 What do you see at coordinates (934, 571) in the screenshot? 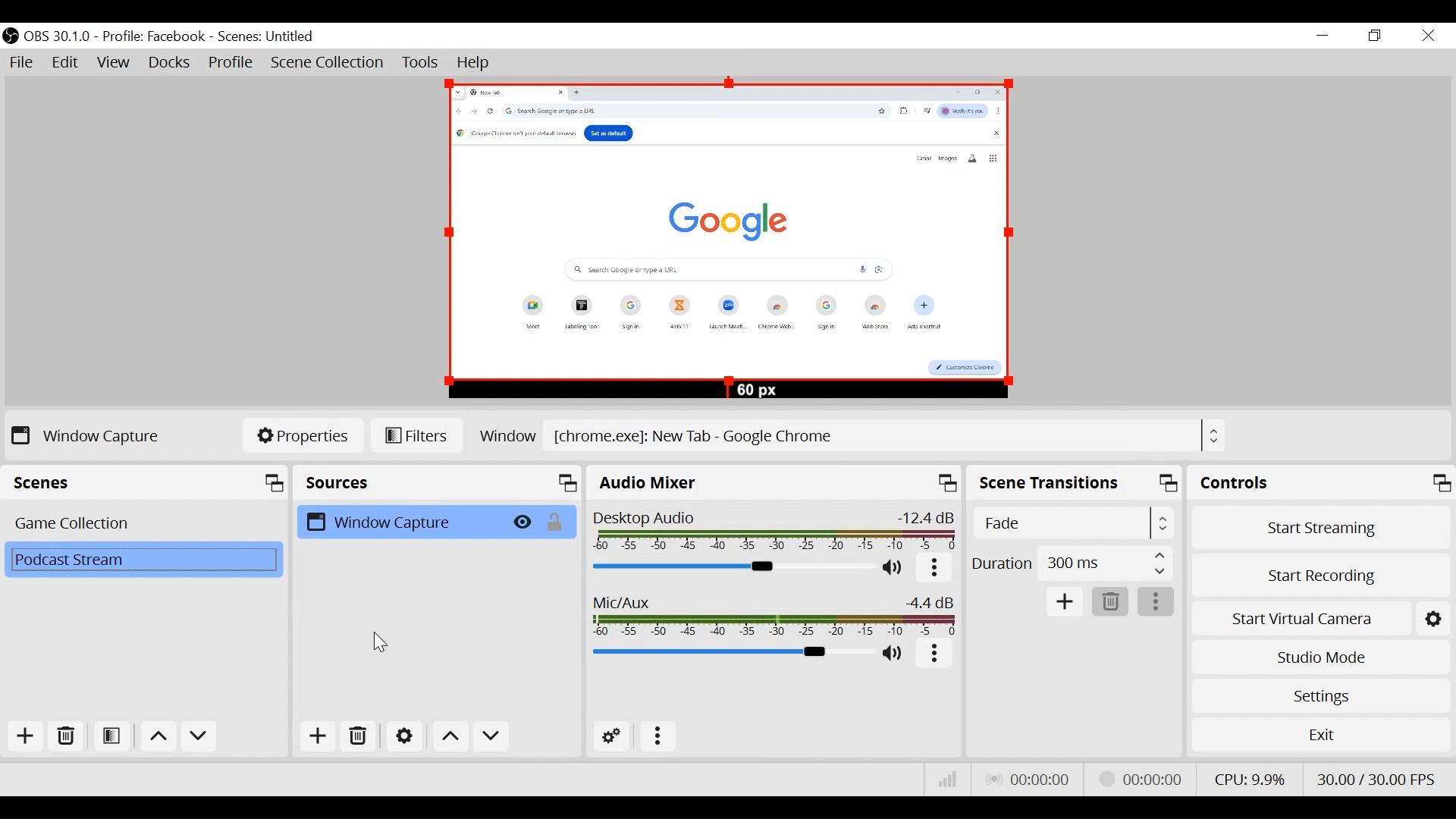
I see `More options ` at bounding box center [934, 571].